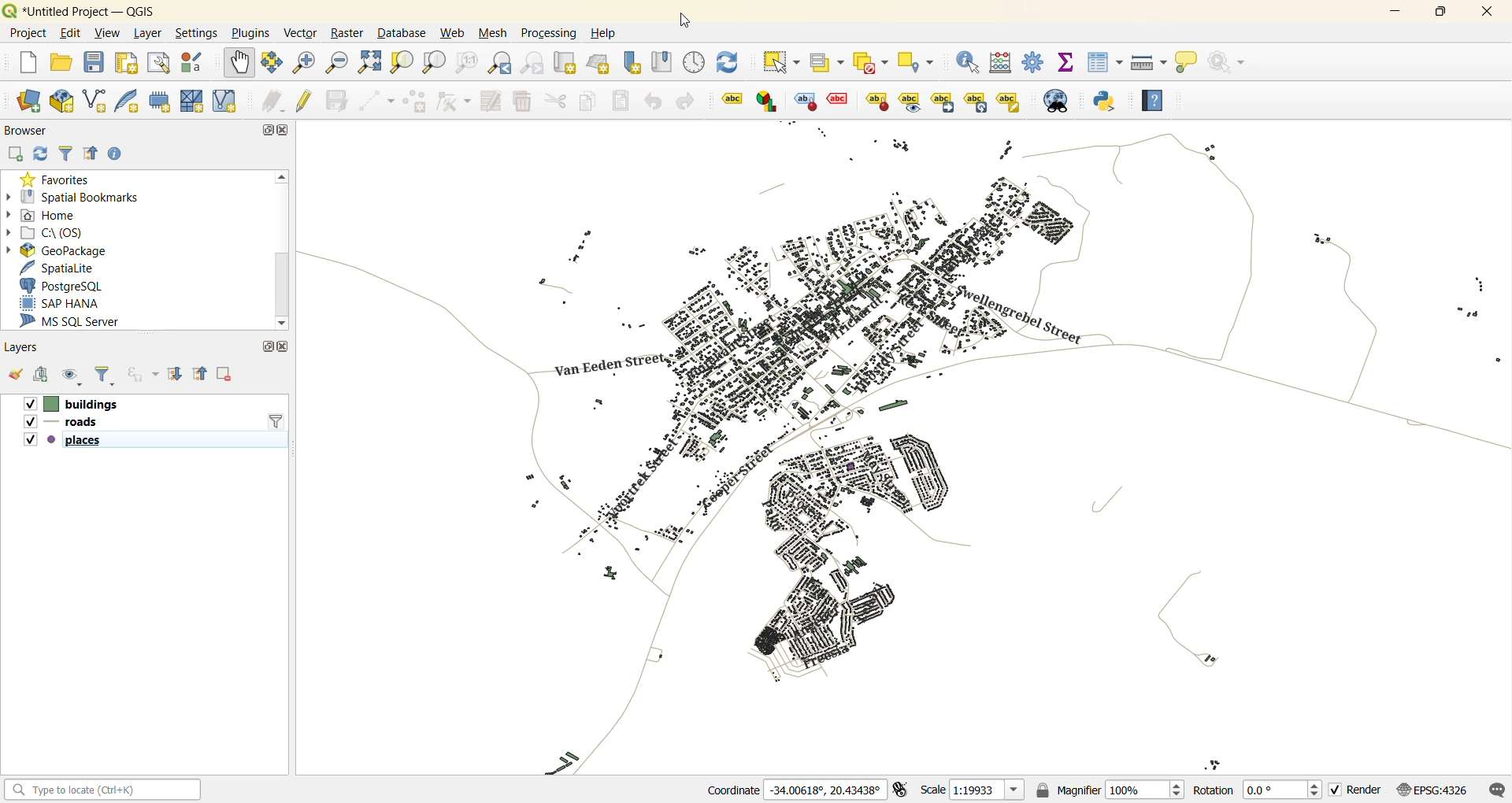 This screenshot has width=1512, height=803. Describe the element at coordinates (52, 231) in the screenshot. I see `c\:os` at that location.